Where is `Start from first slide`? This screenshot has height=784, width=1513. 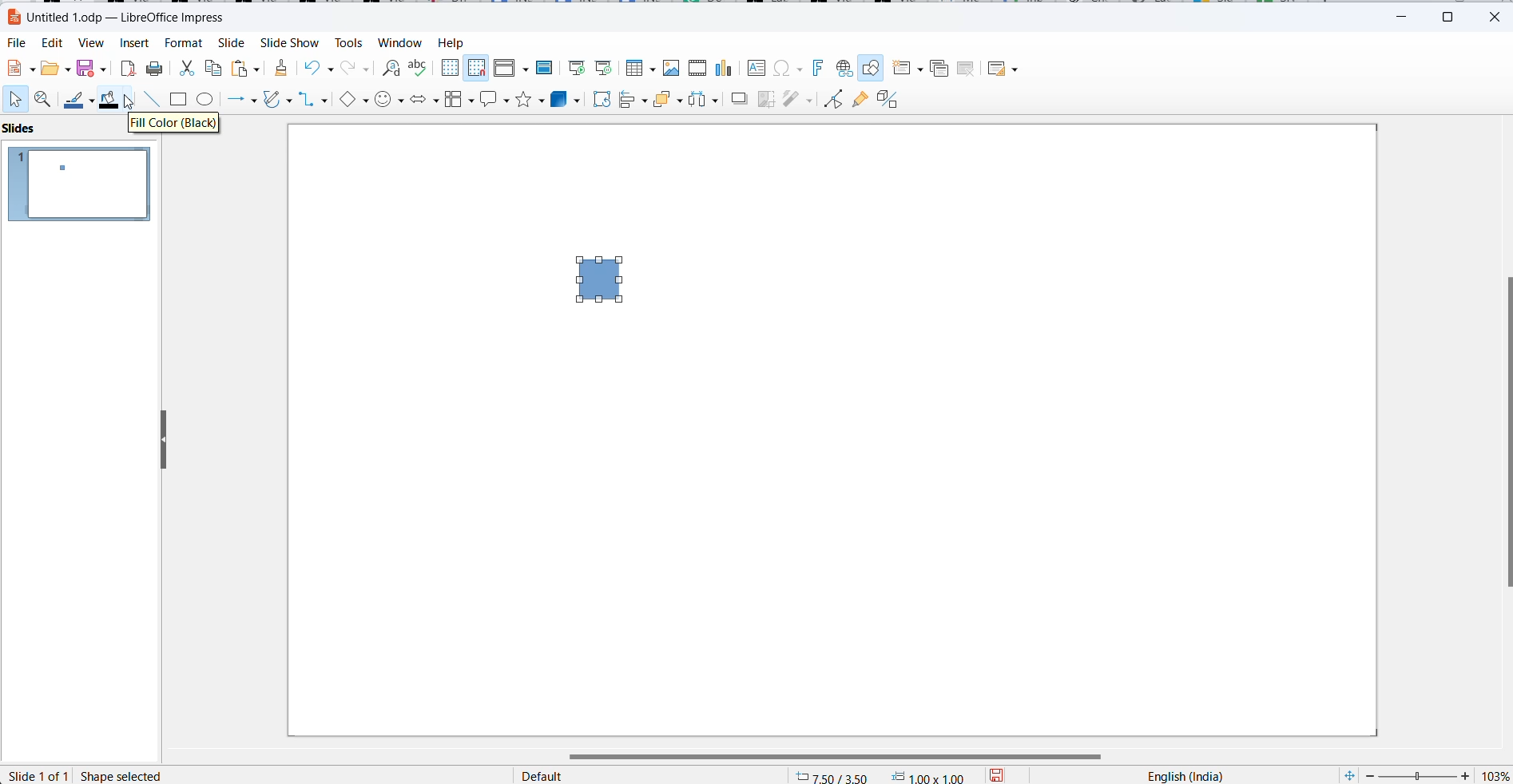
Start from first slide is located at coordinates (578, 66).